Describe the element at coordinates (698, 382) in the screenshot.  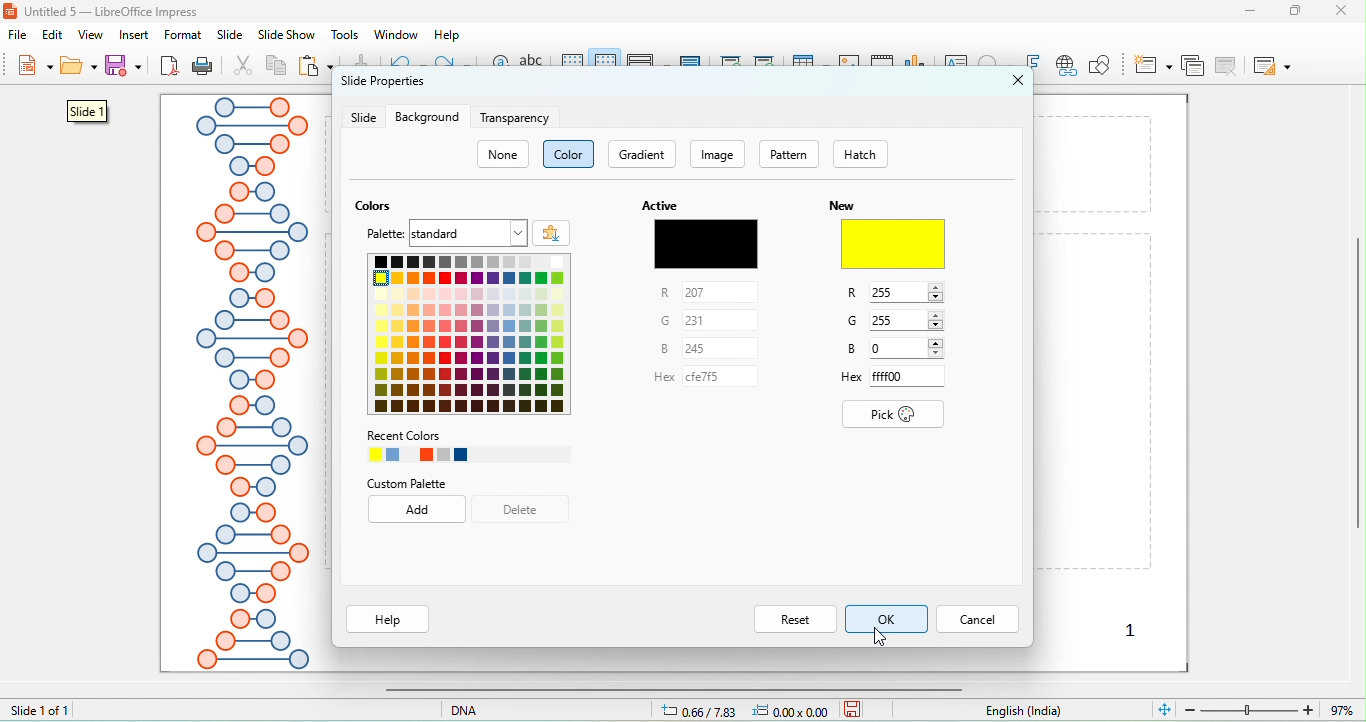
I see `hex` at that location.